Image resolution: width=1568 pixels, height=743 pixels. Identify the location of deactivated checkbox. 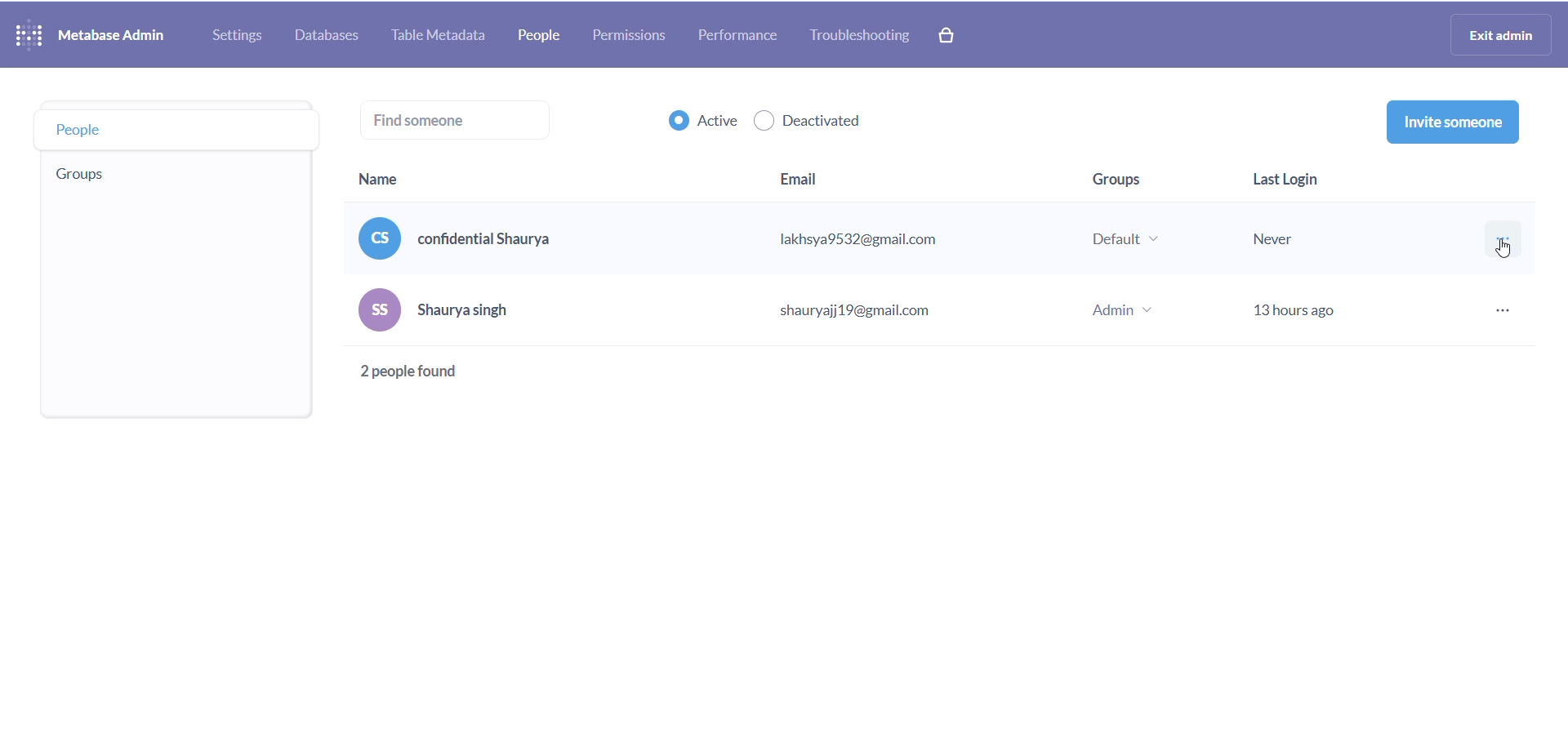
(819, 121).